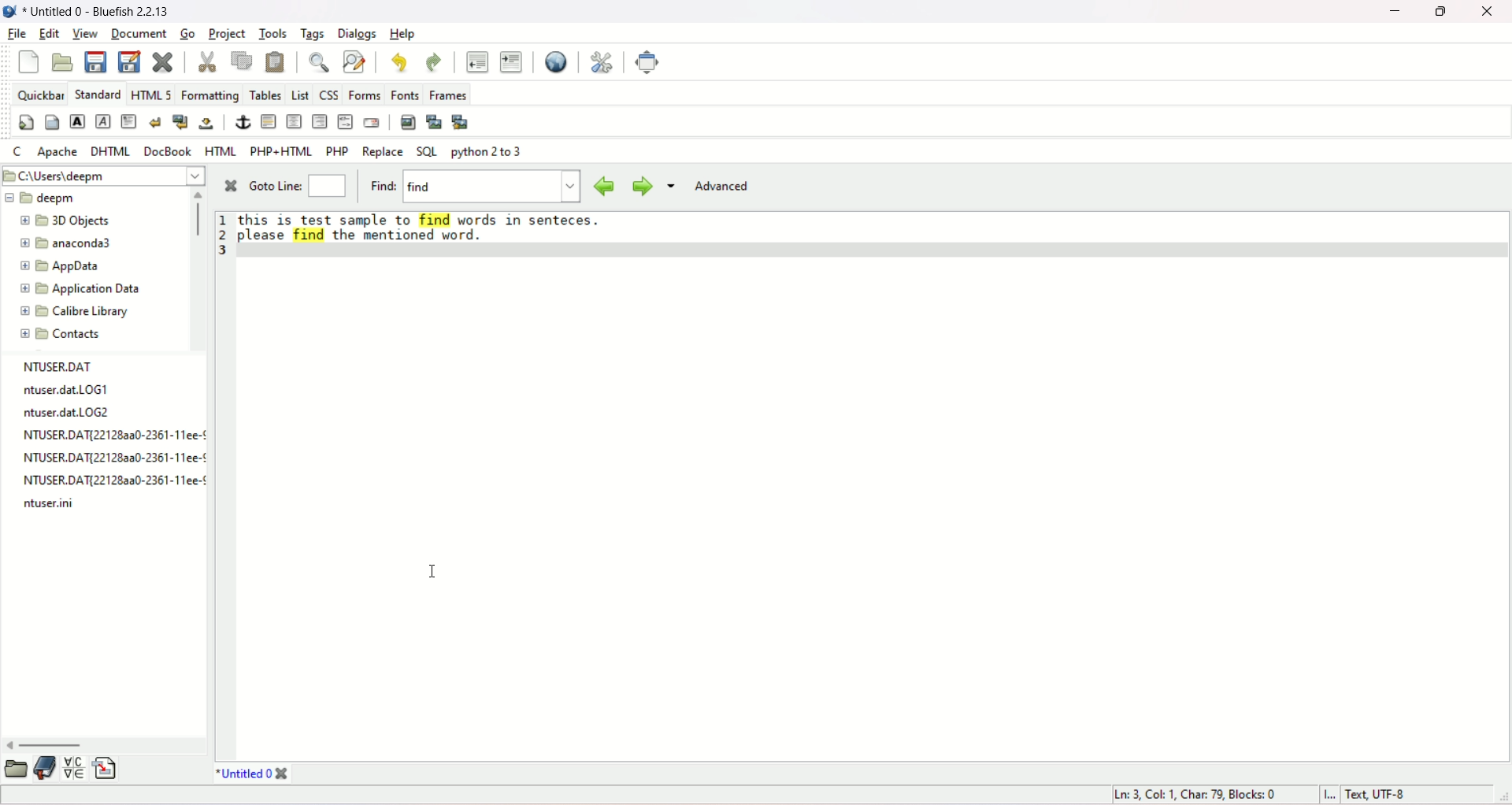 The width and height of the screenshot is (1512, 805). What do you see at coordinates (74, 768) in the screenshot?
I see `insert special character` at bounding box center [74, 768].